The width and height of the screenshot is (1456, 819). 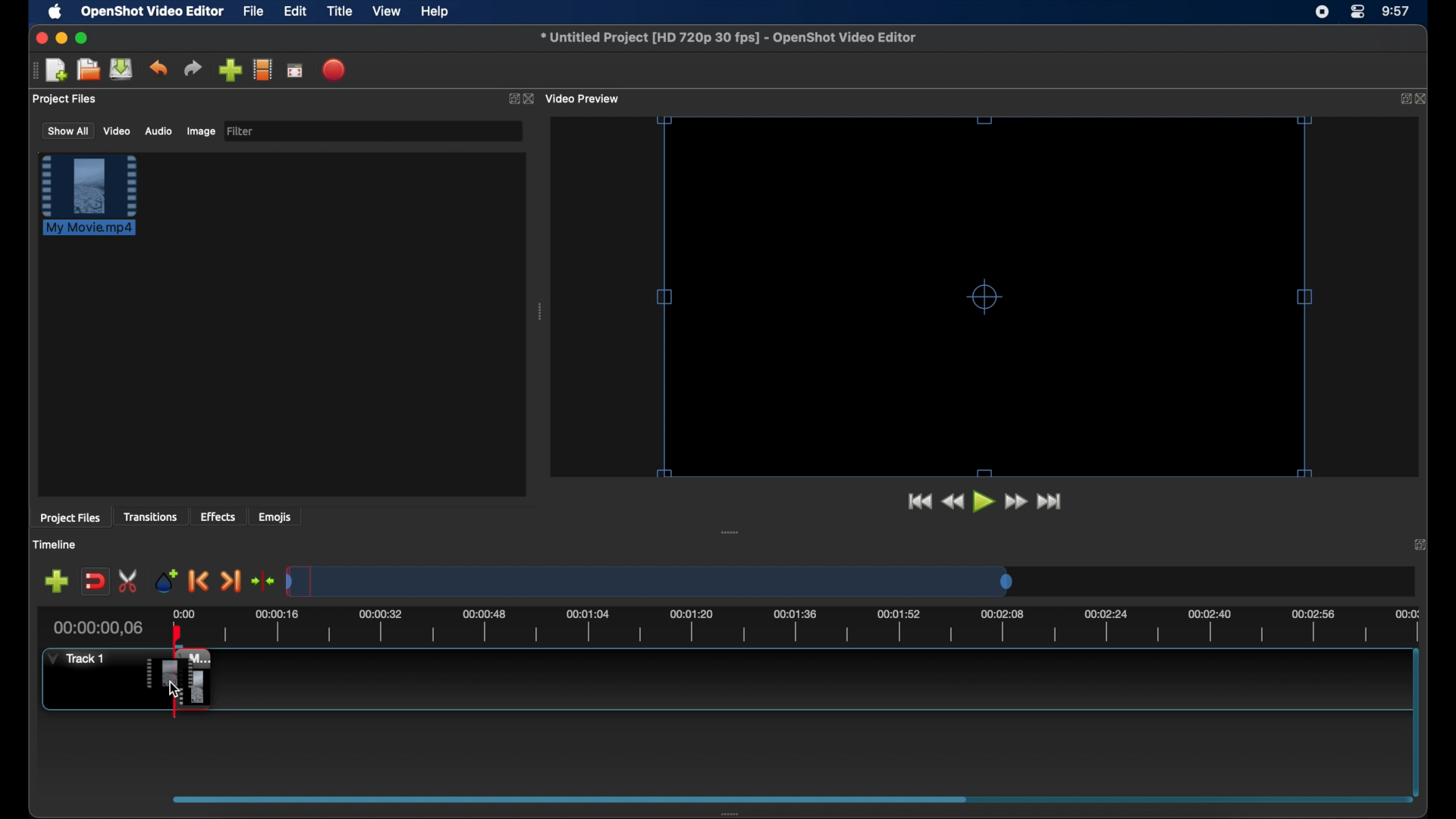 I want to click on import files, so click(x=230, y=71).